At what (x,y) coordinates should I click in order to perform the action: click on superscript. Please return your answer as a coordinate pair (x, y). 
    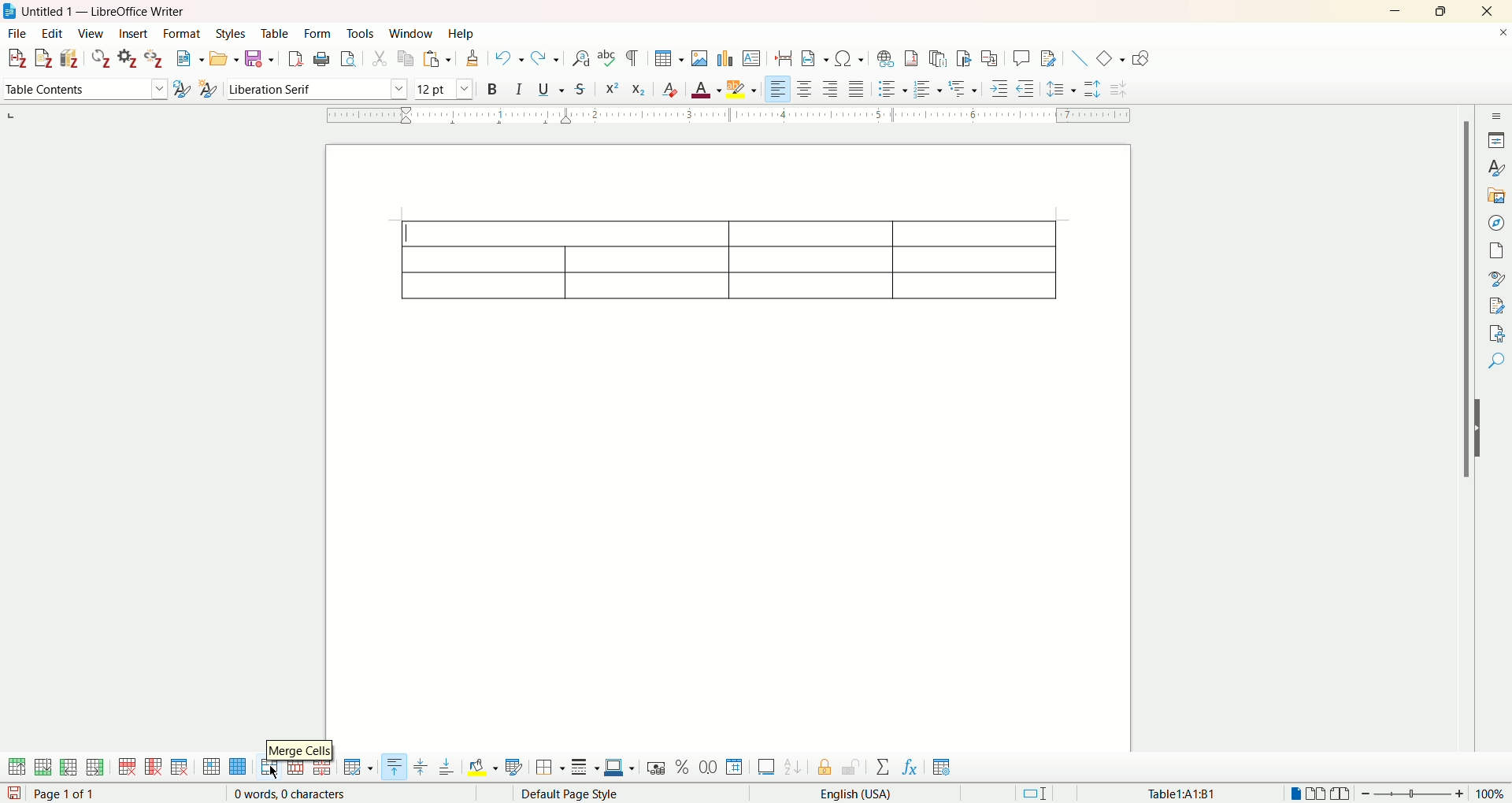
    Looking at the image, I should click on (611, 89).